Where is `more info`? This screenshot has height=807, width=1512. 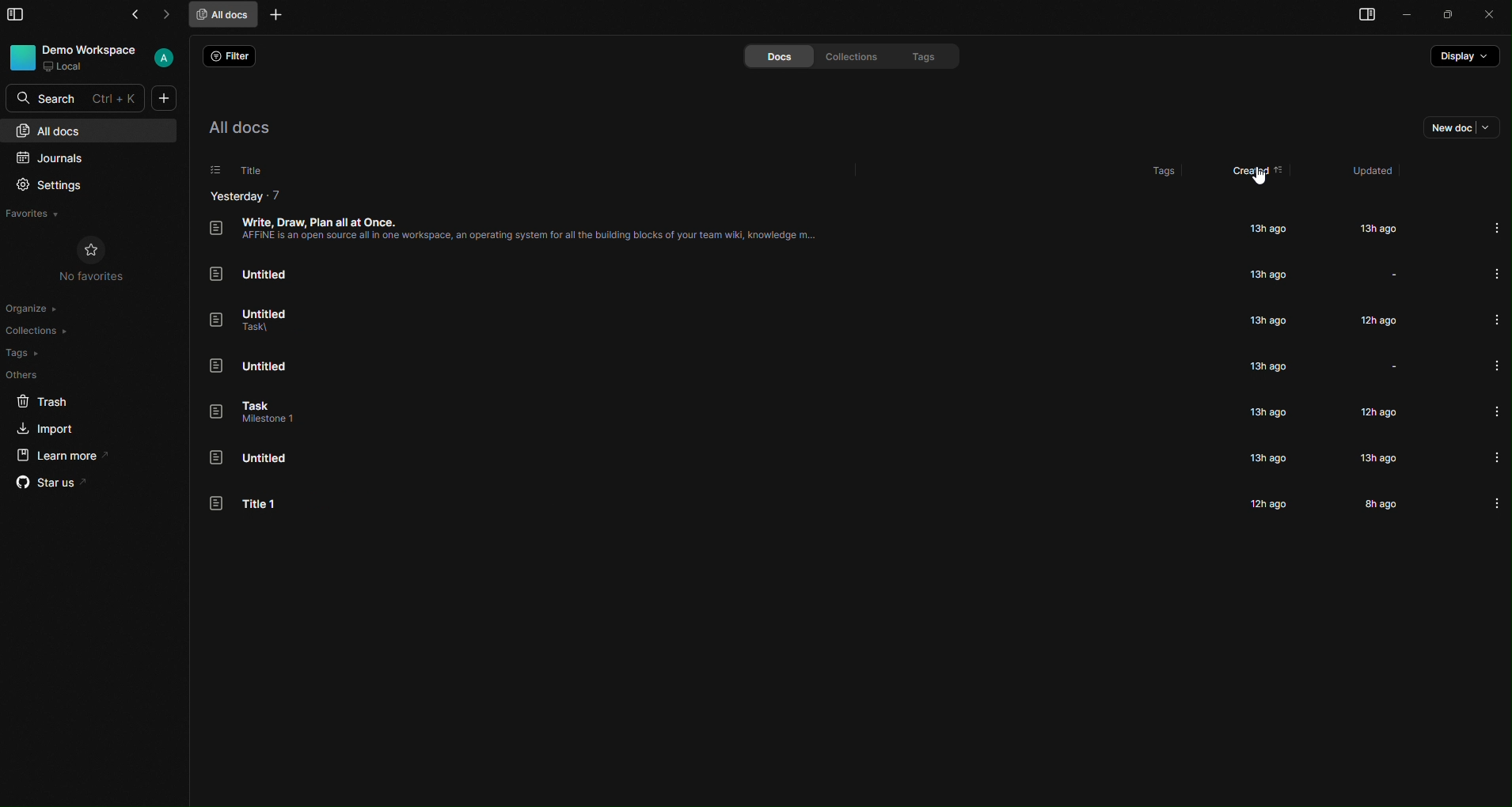 more info is located at coordinates (1495, 272).